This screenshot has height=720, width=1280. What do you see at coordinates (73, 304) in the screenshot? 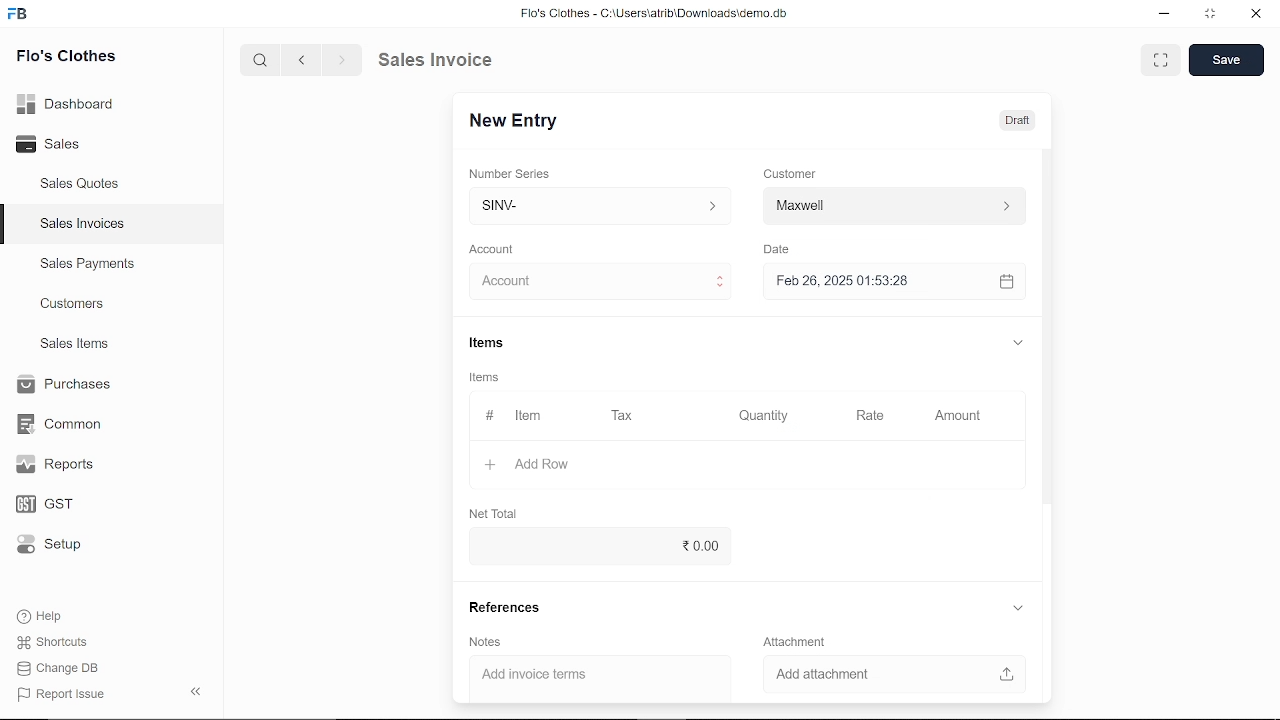
I see `Customers.` at bounding box center [73, 304].